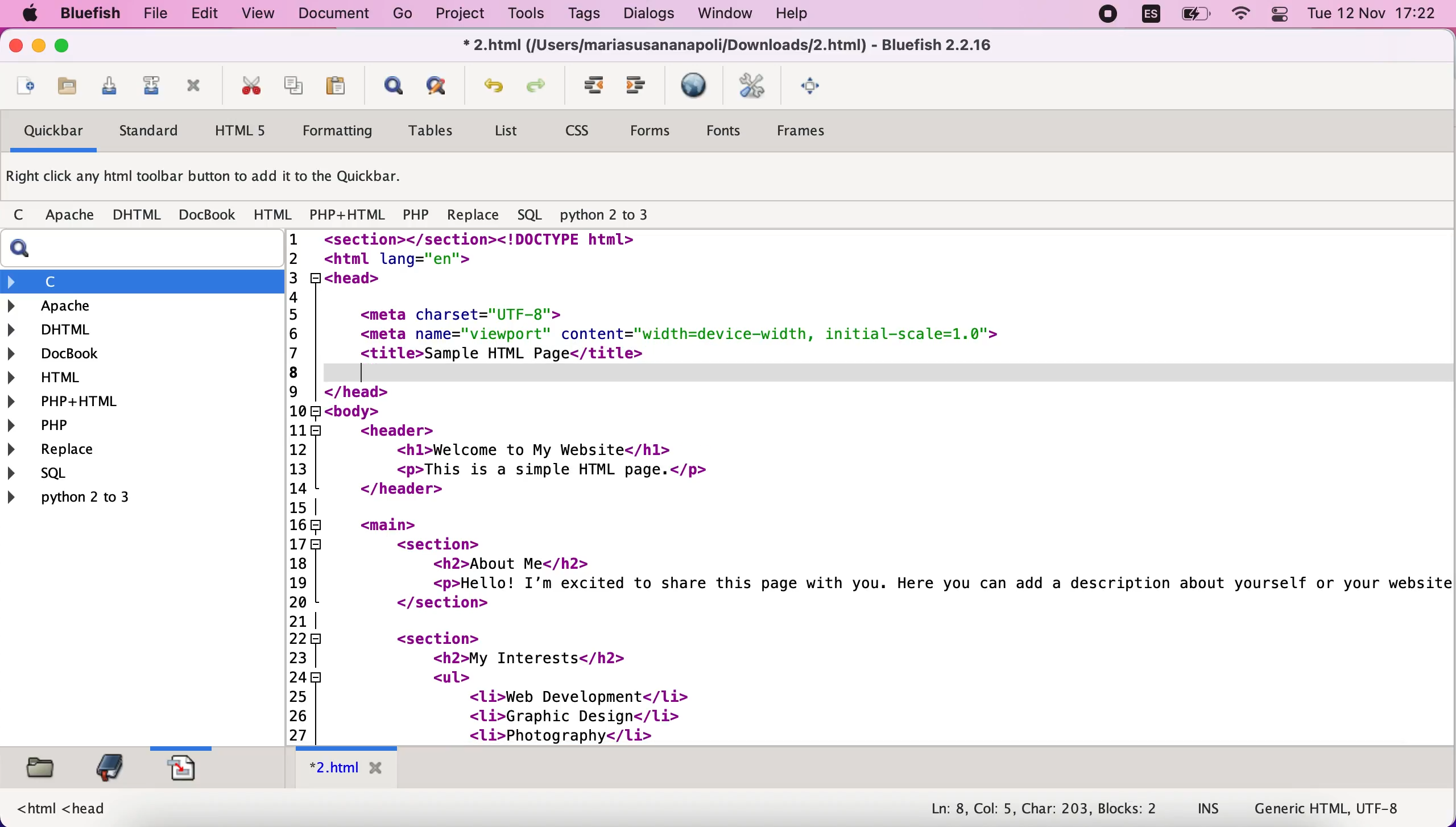 The image size is (1456, 827). Describe the element at coordinates (1151, 17) in the screenshot. I see `language` at that location.